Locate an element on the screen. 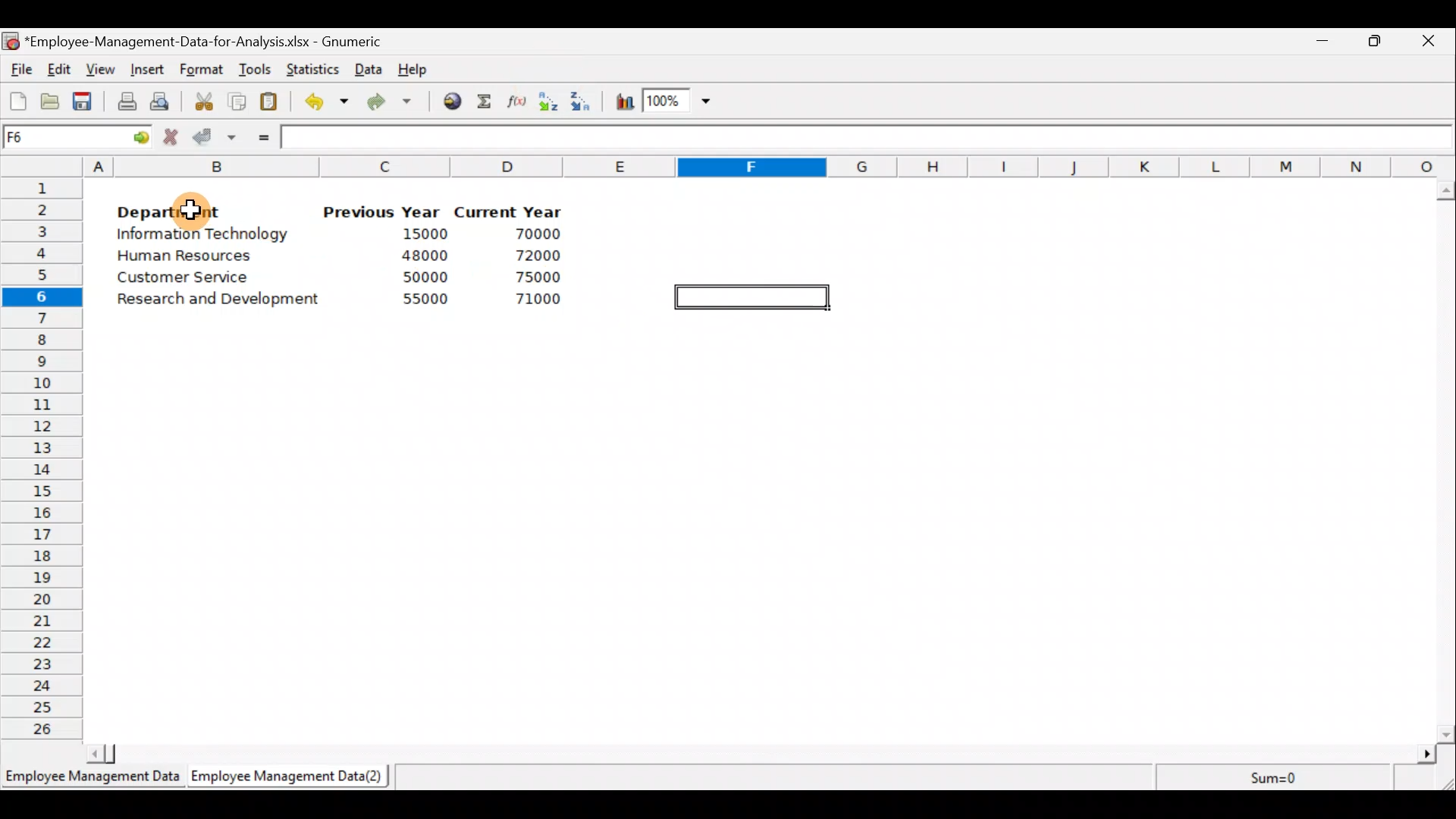 The height and width of the screenshot is (819, 1456). Enter formula is located at coordinates (259, 134).